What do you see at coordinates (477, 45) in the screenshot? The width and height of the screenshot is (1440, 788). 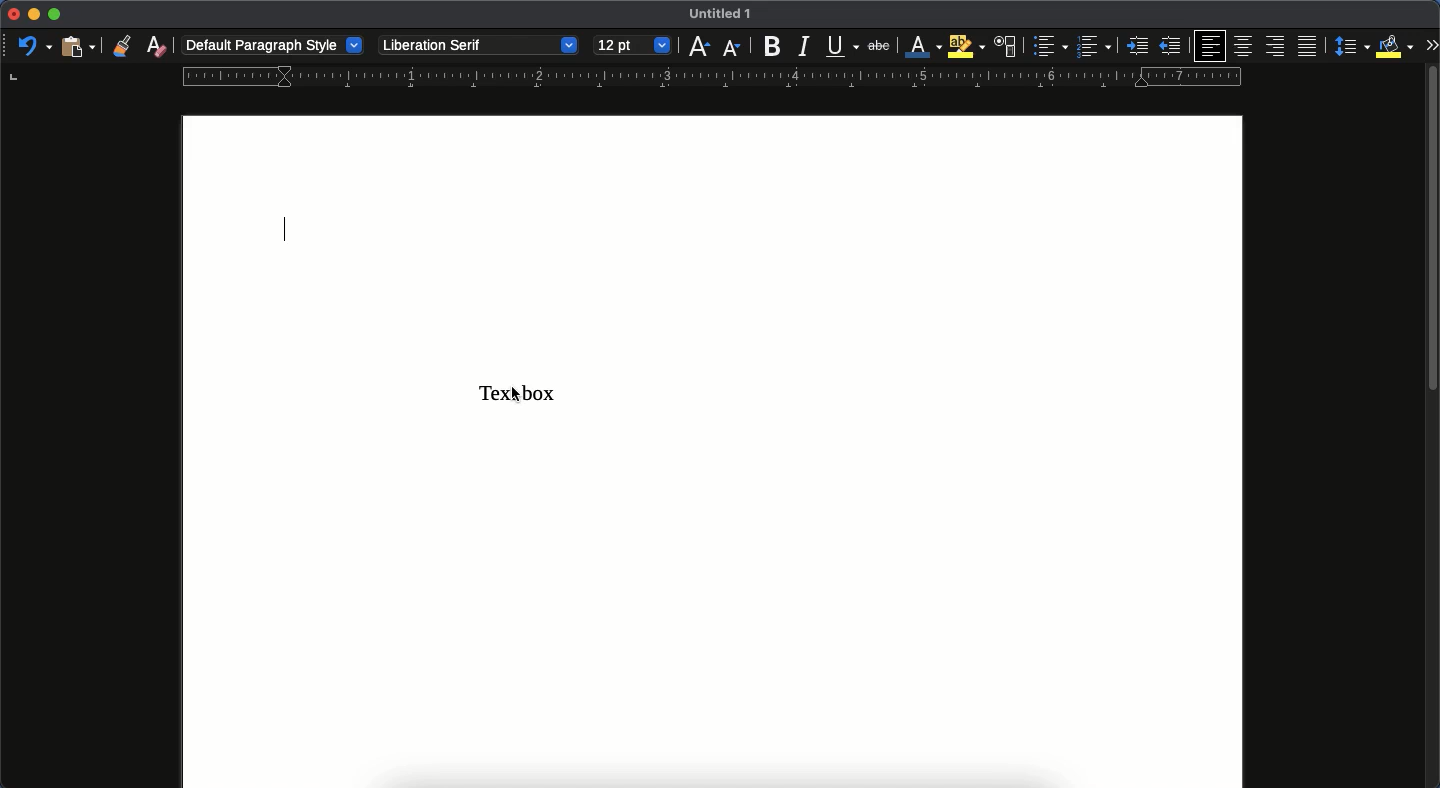 I see `Liberation serif - font` at bounding box center [477, 45].